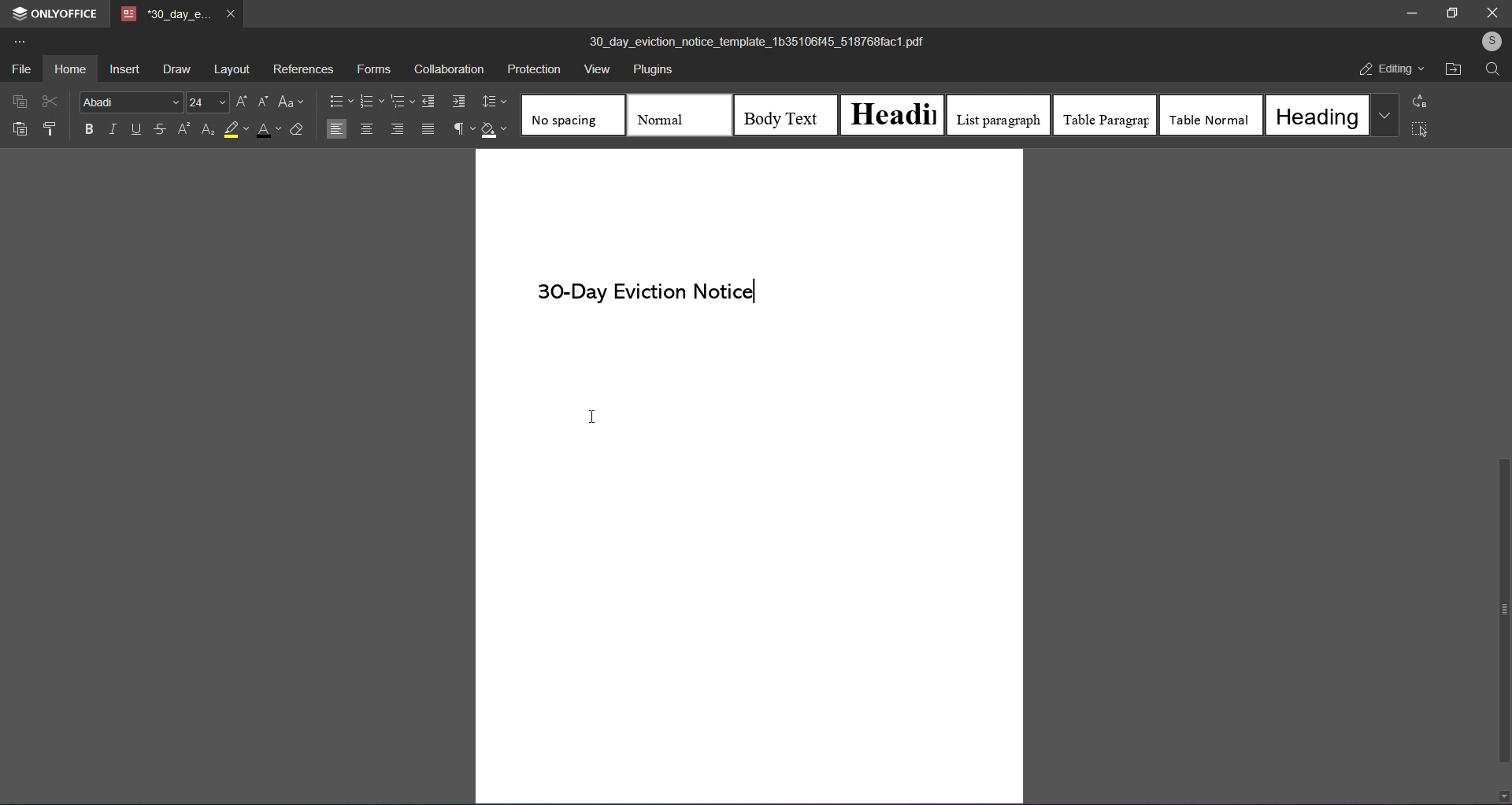 This screenshot has width=1512, height=805. What do you see at coordinates (1503, 794) in the screenshot?
I see `down` at bounding box center [1503, 794].